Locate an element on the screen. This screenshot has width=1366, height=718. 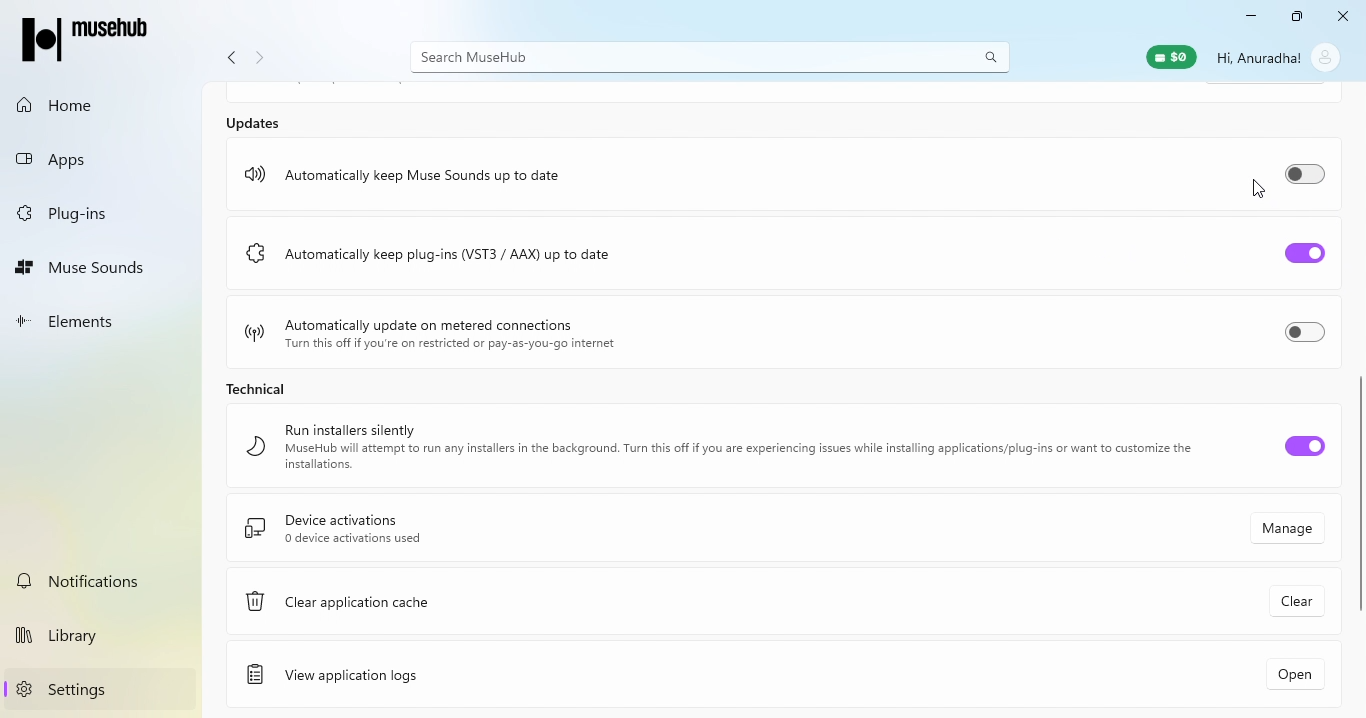
Toggle is located at coordinates (1302, 178).